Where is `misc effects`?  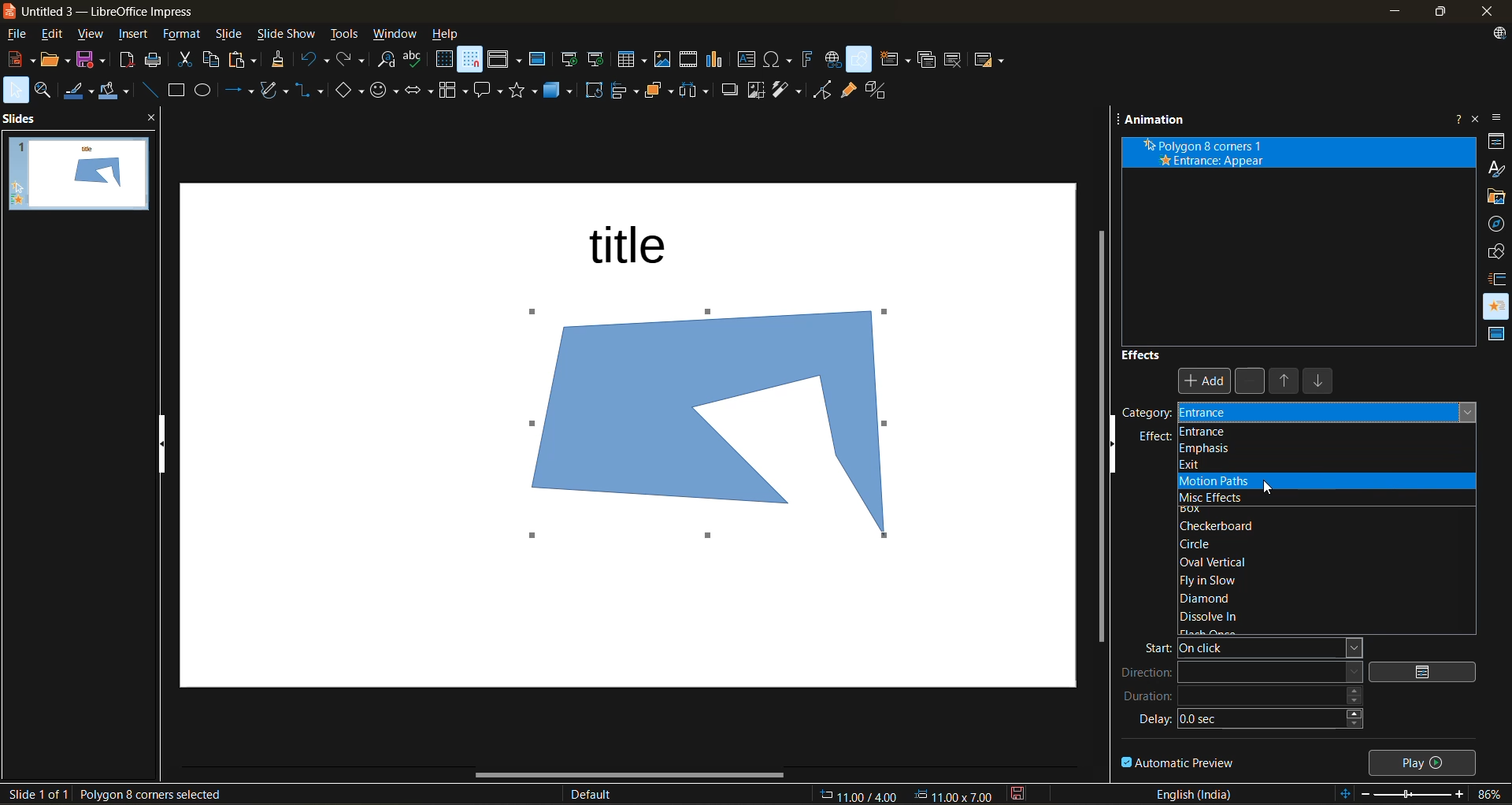 misc effects is located at coordinates (1211, 498).